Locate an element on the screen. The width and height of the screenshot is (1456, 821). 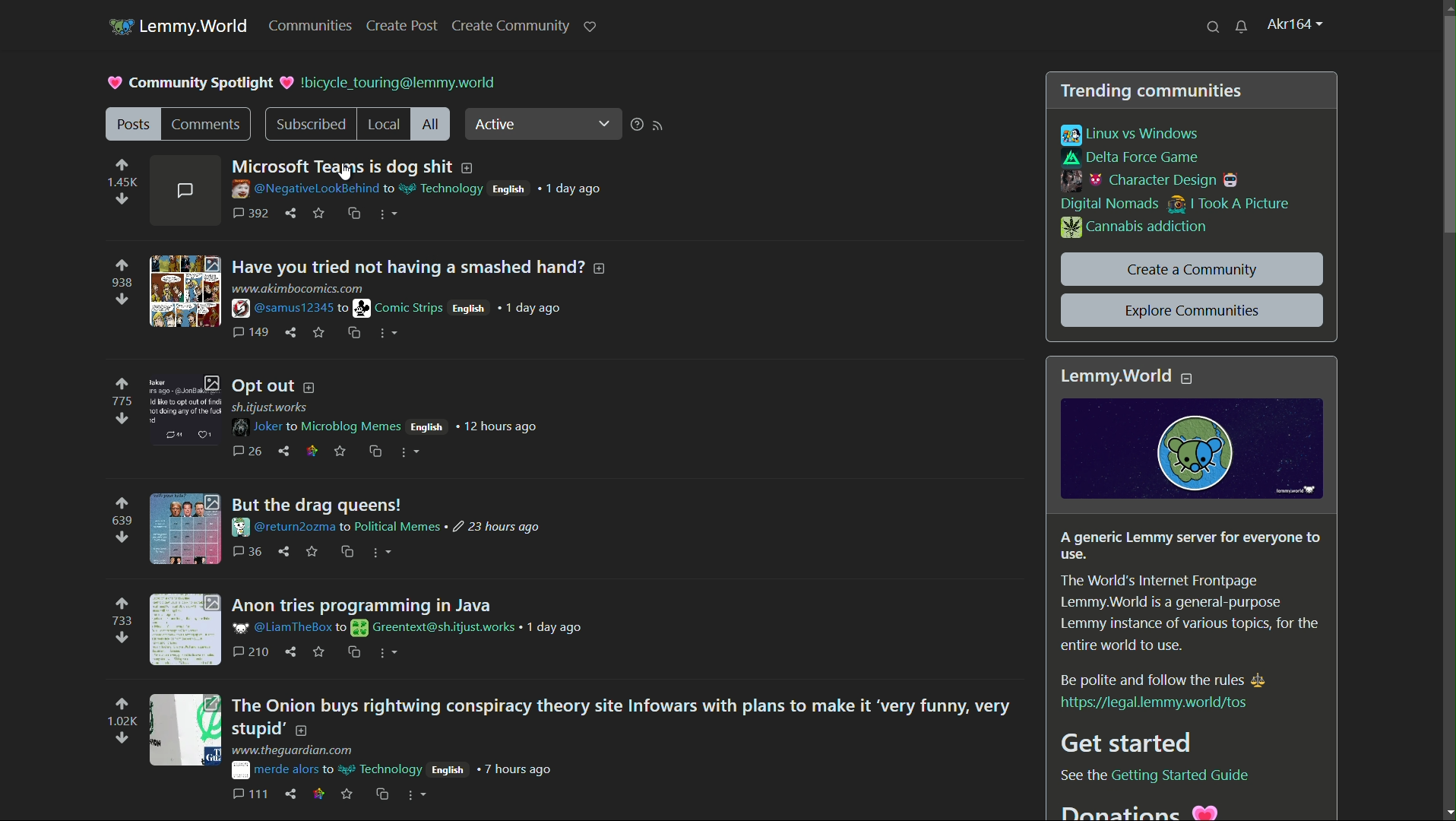
text is located at coordinates (1135, 813).